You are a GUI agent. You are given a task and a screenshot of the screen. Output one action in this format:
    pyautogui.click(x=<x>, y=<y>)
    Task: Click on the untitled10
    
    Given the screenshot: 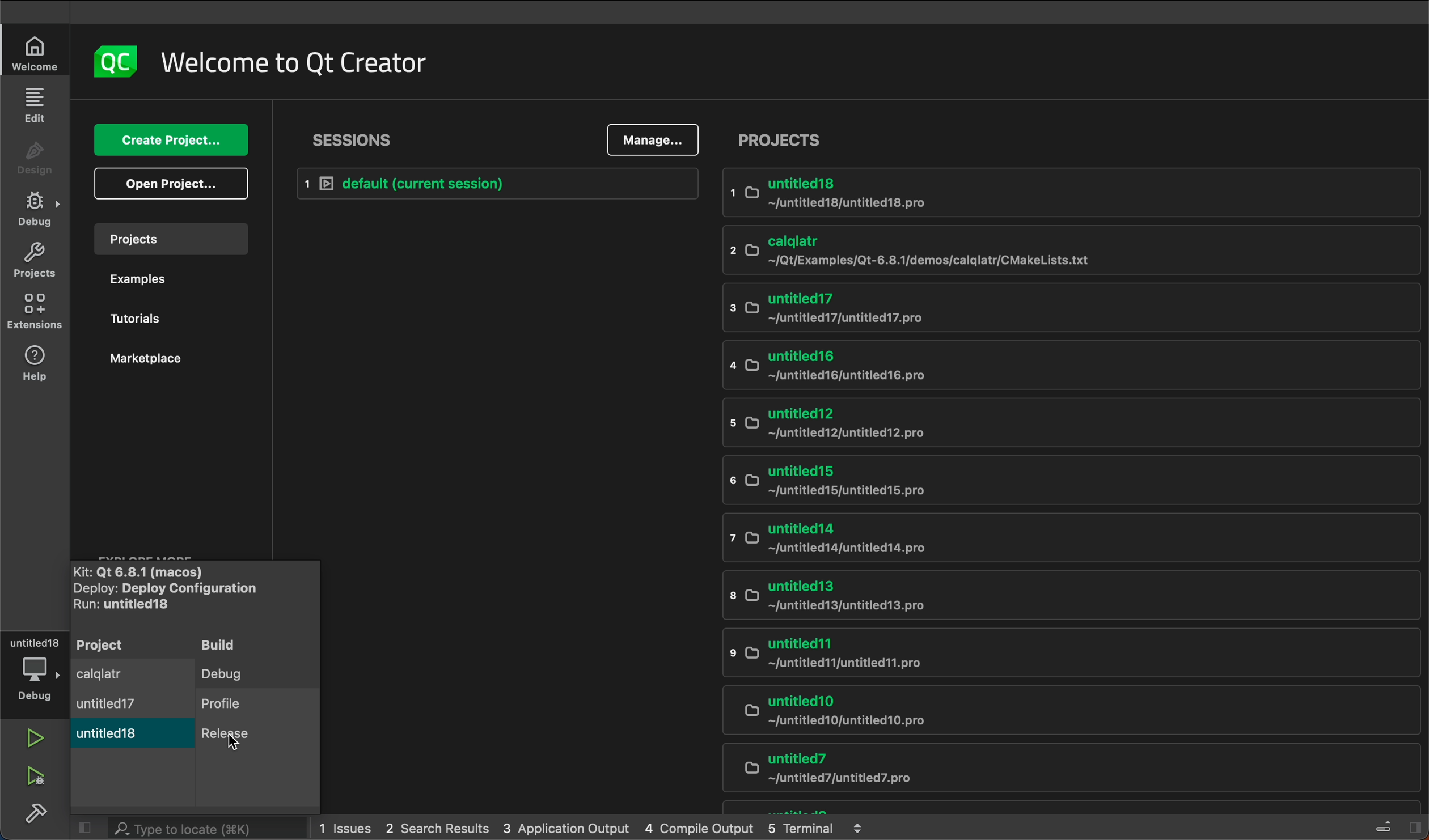 What is the action you would take?
    pyautogui.click(x=1049, y=712)
    